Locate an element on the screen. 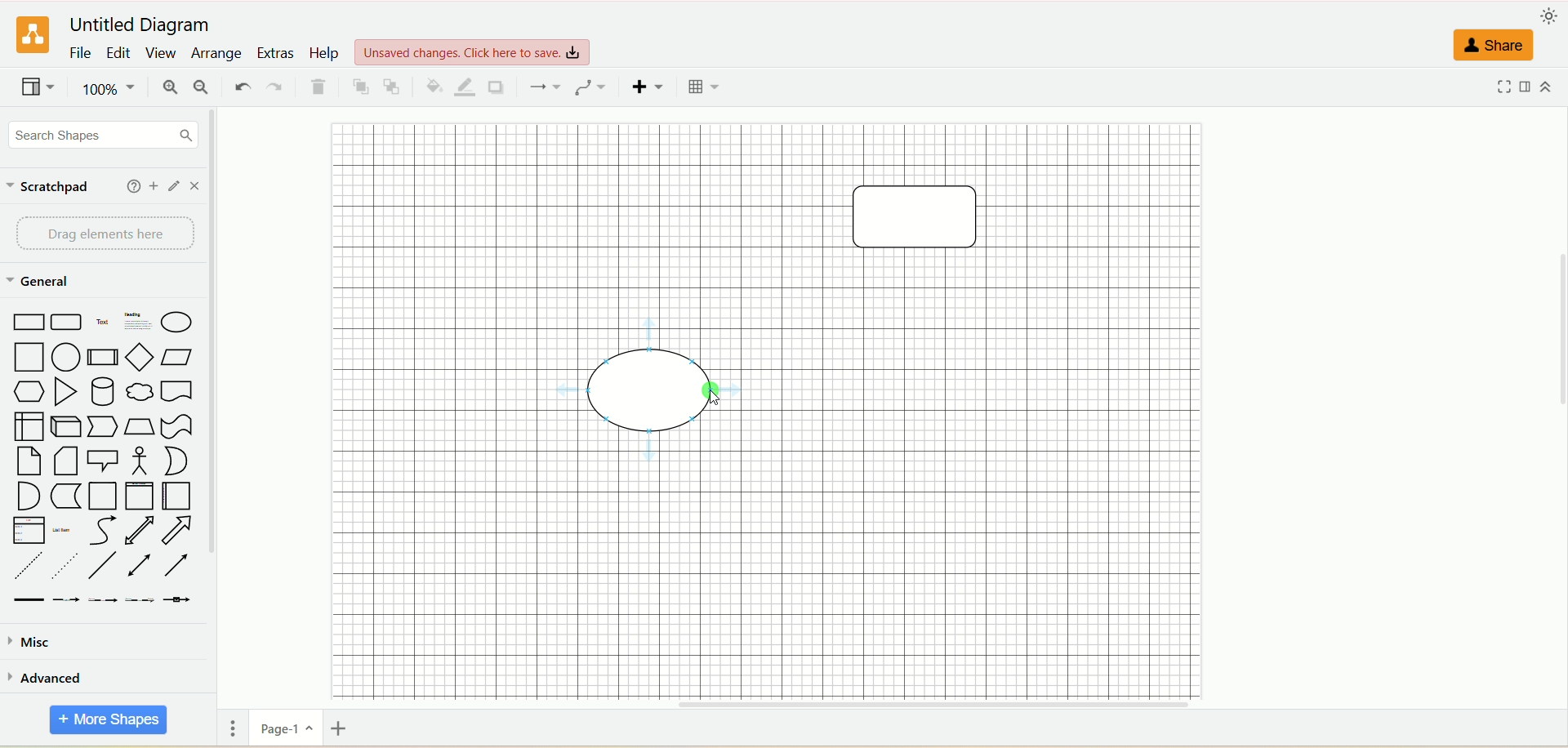  insert page is located at coordinates (345, 731).